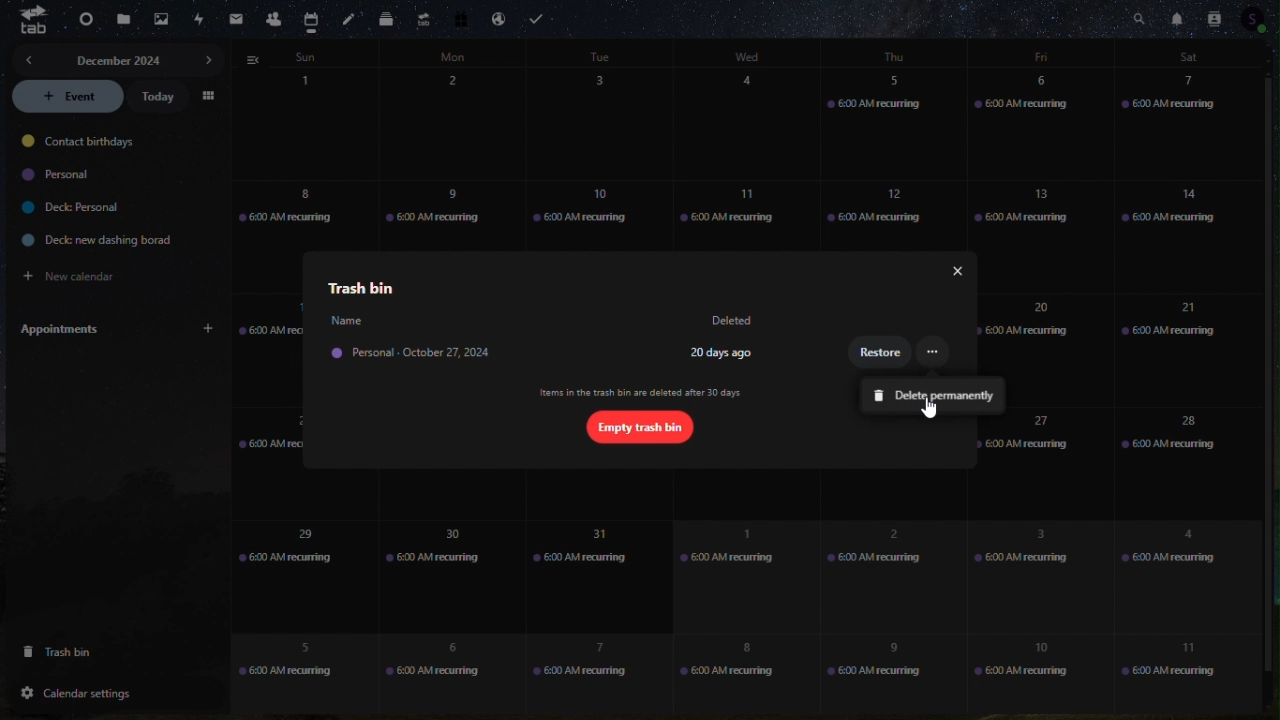 The image size is (1280, 720). What do you see at coordinates (638, 426) in the screenshot?
I see `empty trash bin` at bounding box center [638, 426].